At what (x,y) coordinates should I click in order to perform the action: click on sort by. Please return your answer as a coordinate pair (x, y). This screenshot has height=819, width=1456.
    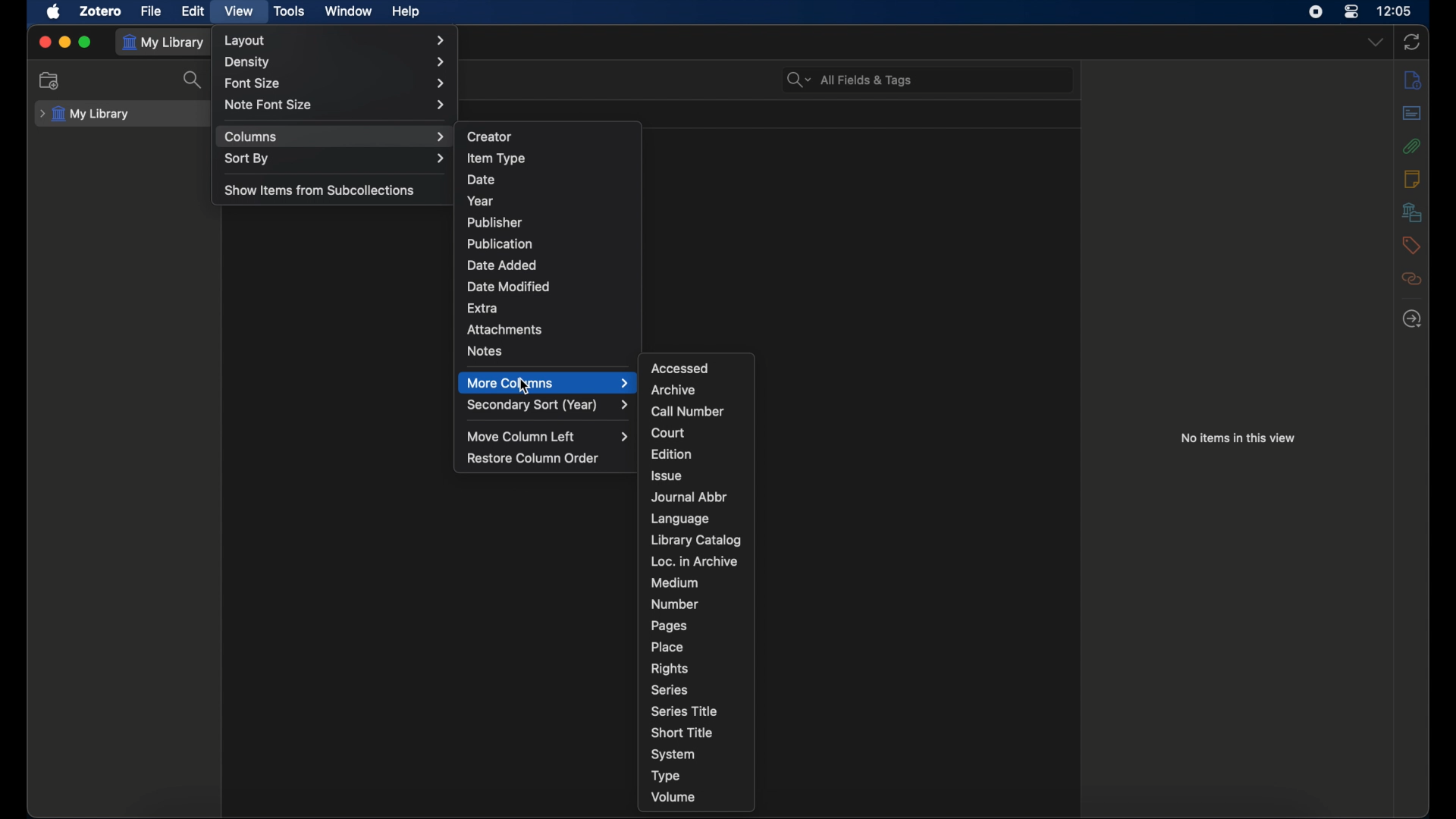
    Looking at the image, I should click on (335, 158).